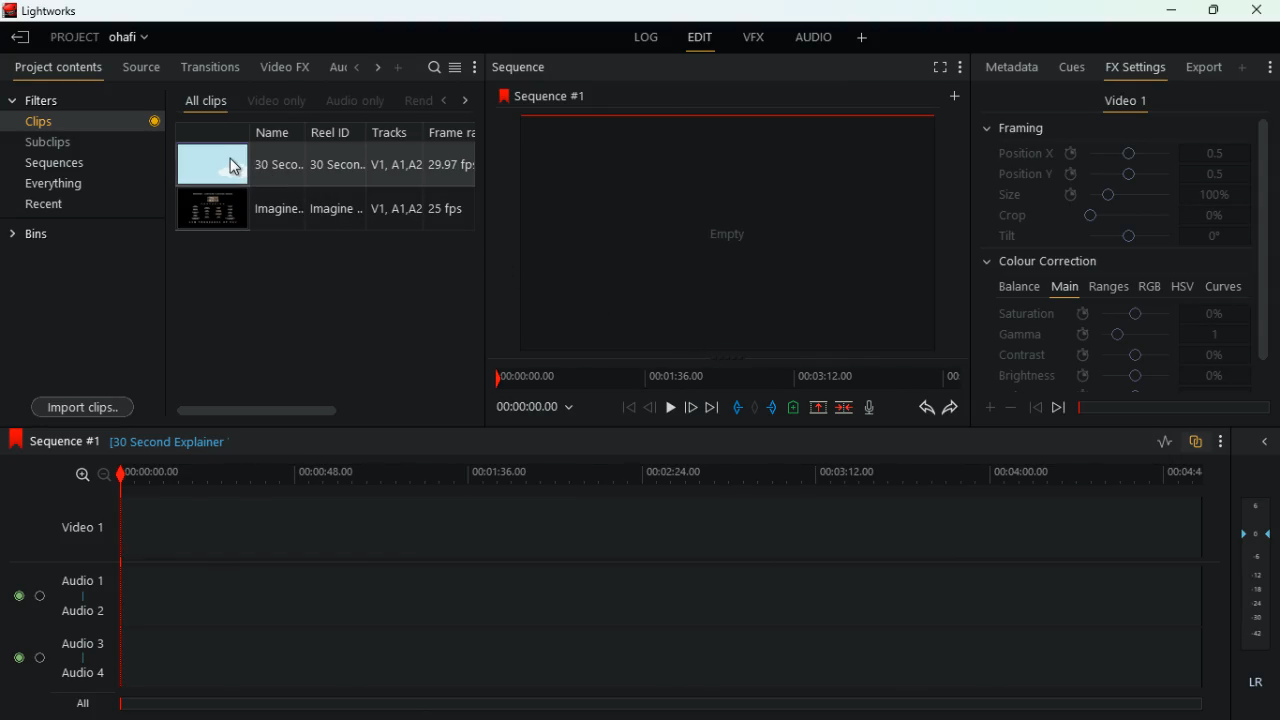 The image size is (1280, 720). I want to click on more, so click(1267, 62).